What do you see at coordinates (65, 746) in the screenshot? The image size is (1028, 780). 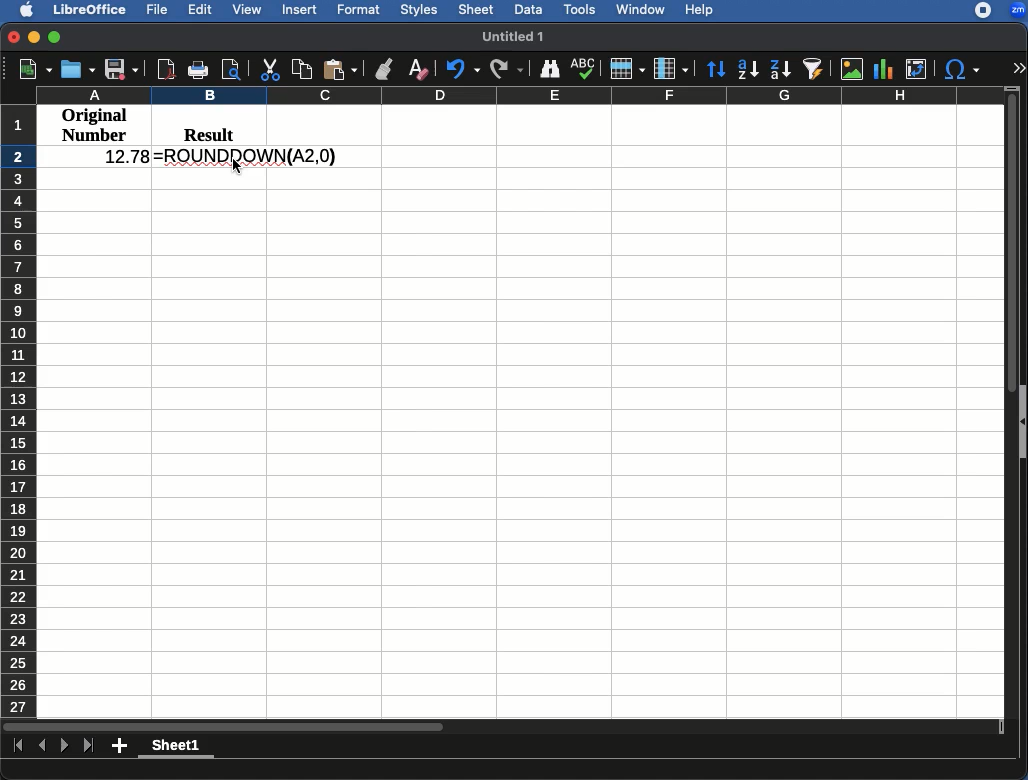 I see `Next page` at bounding box center [65, 746].